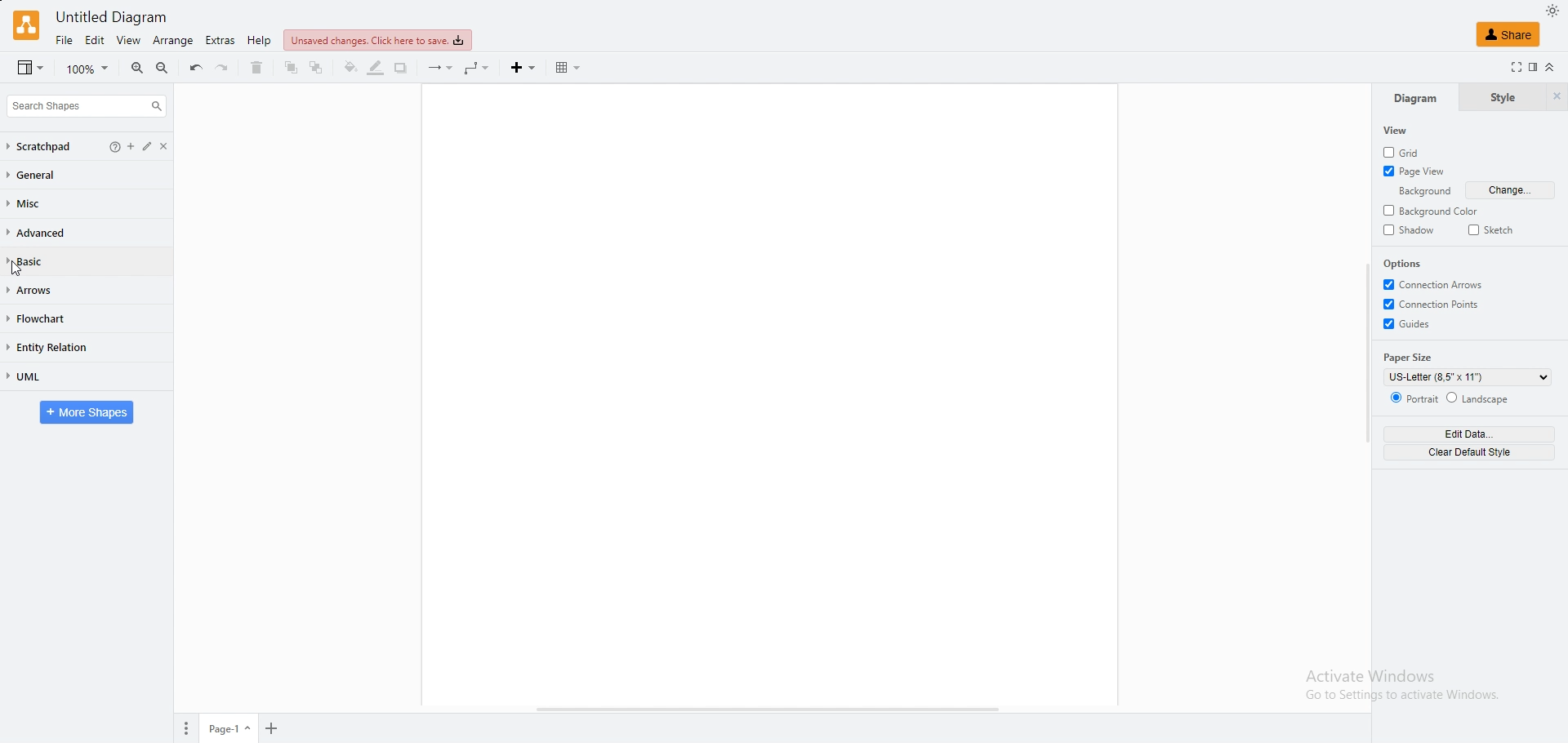  What do you see at coordinates (770, 393) in the screenshot?
I see `canvas` at bounding box center [770, 393].